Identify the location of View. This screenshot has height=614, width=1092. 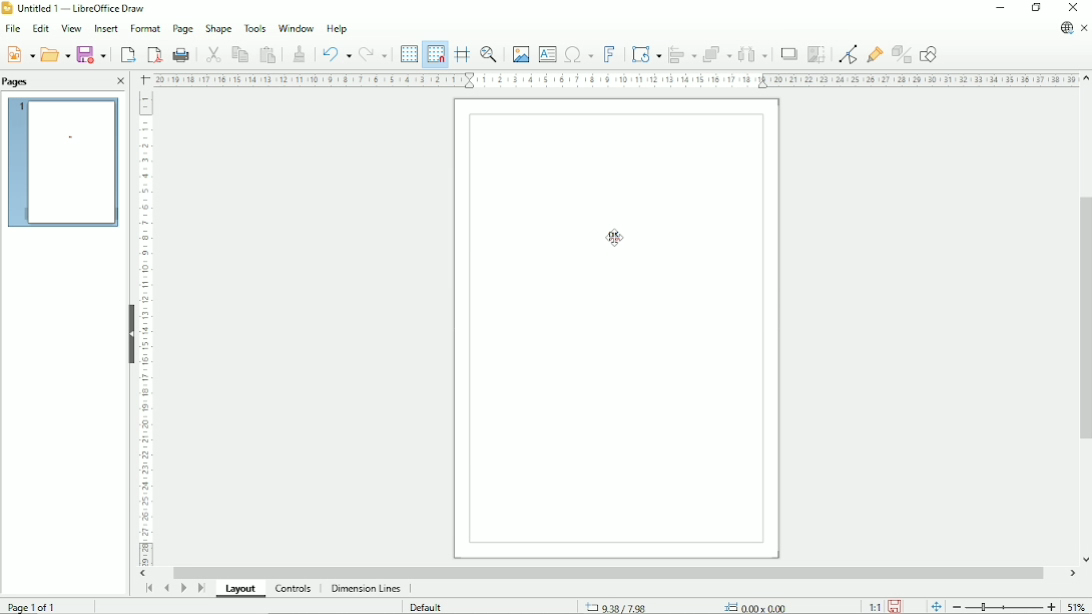
(69, 28).